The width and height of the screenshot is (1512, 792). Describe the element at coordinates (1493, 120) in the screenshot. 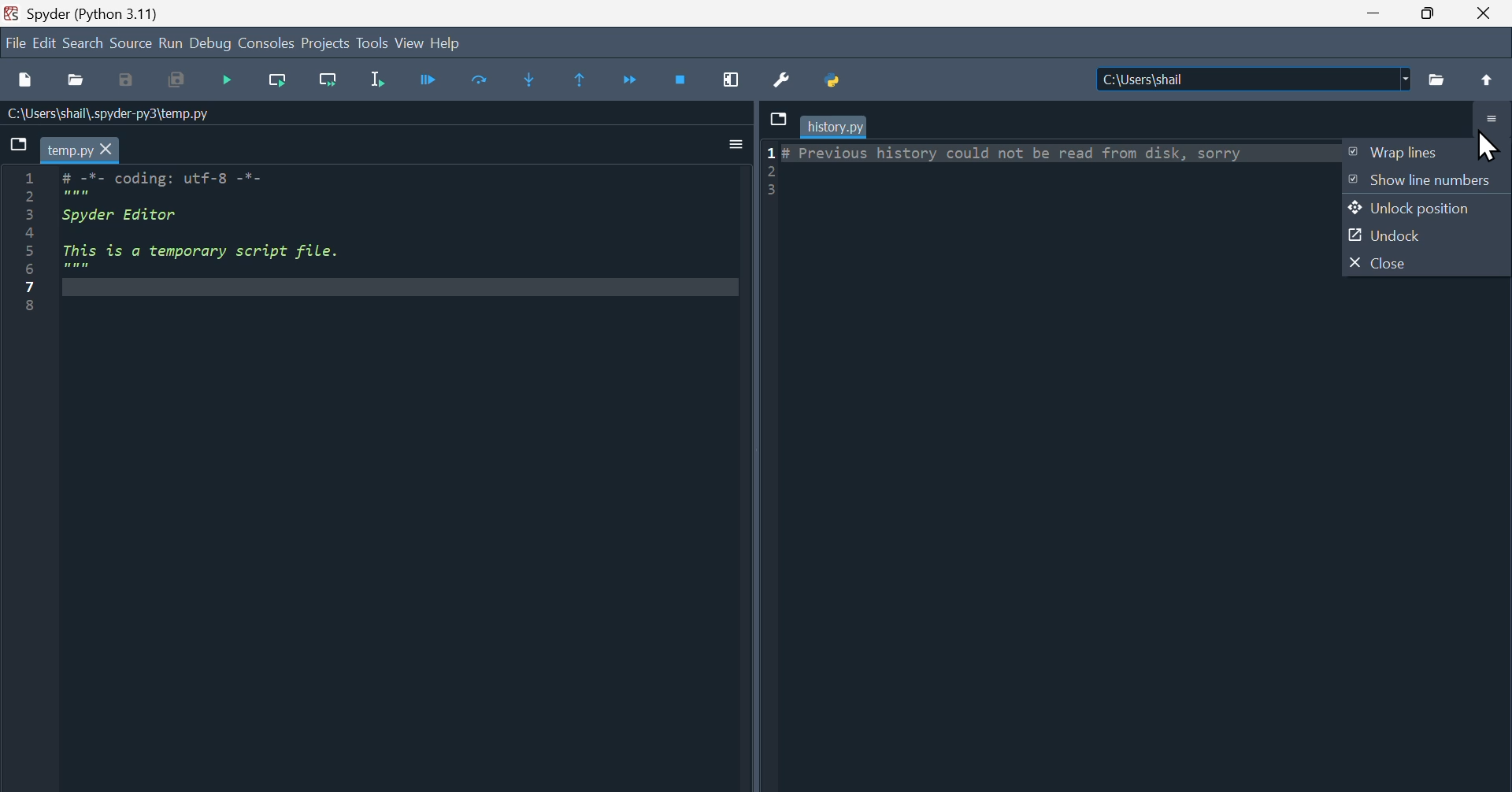

I see `Options` at that location.